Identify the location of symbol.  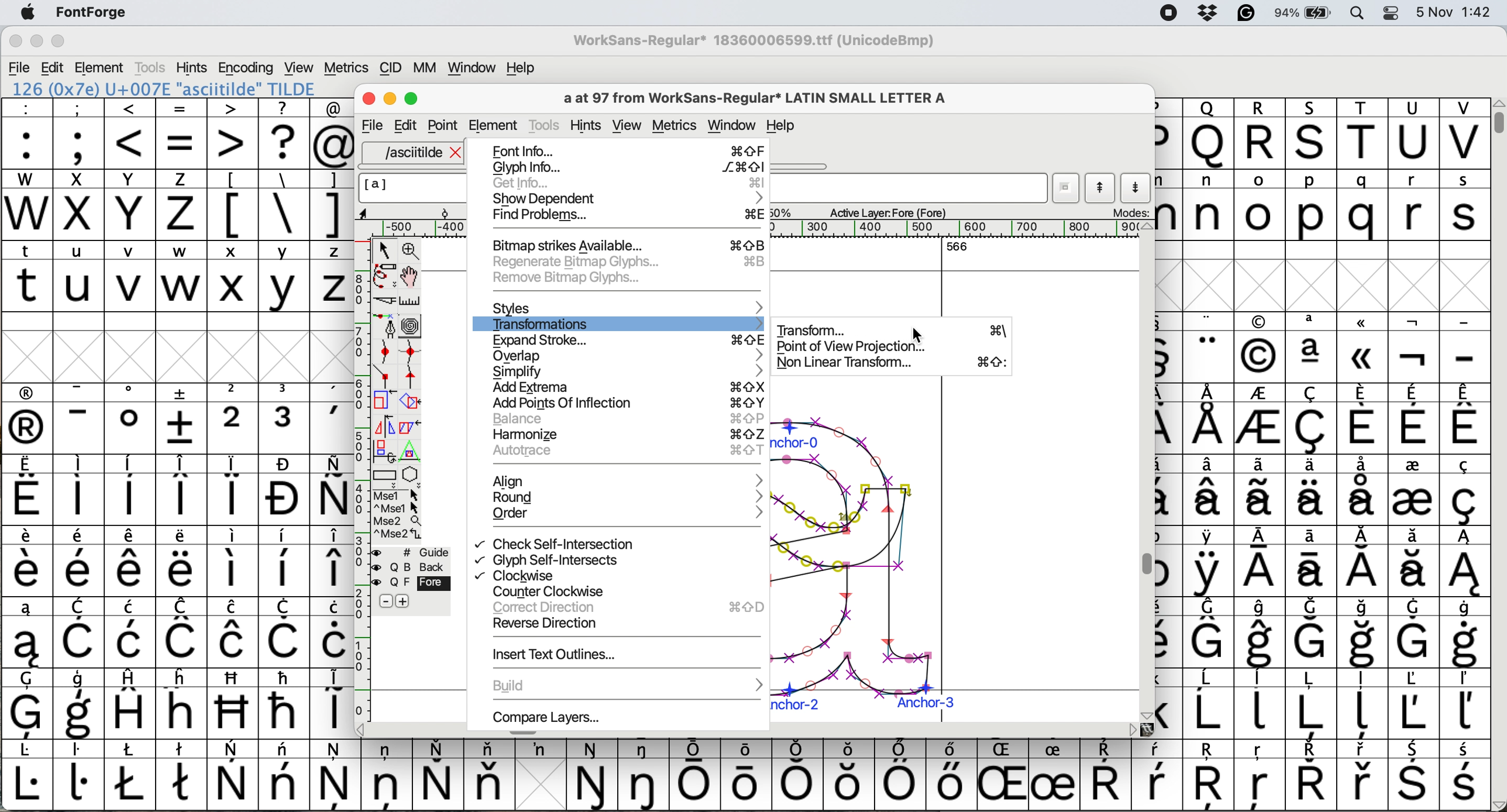
(949, 774).